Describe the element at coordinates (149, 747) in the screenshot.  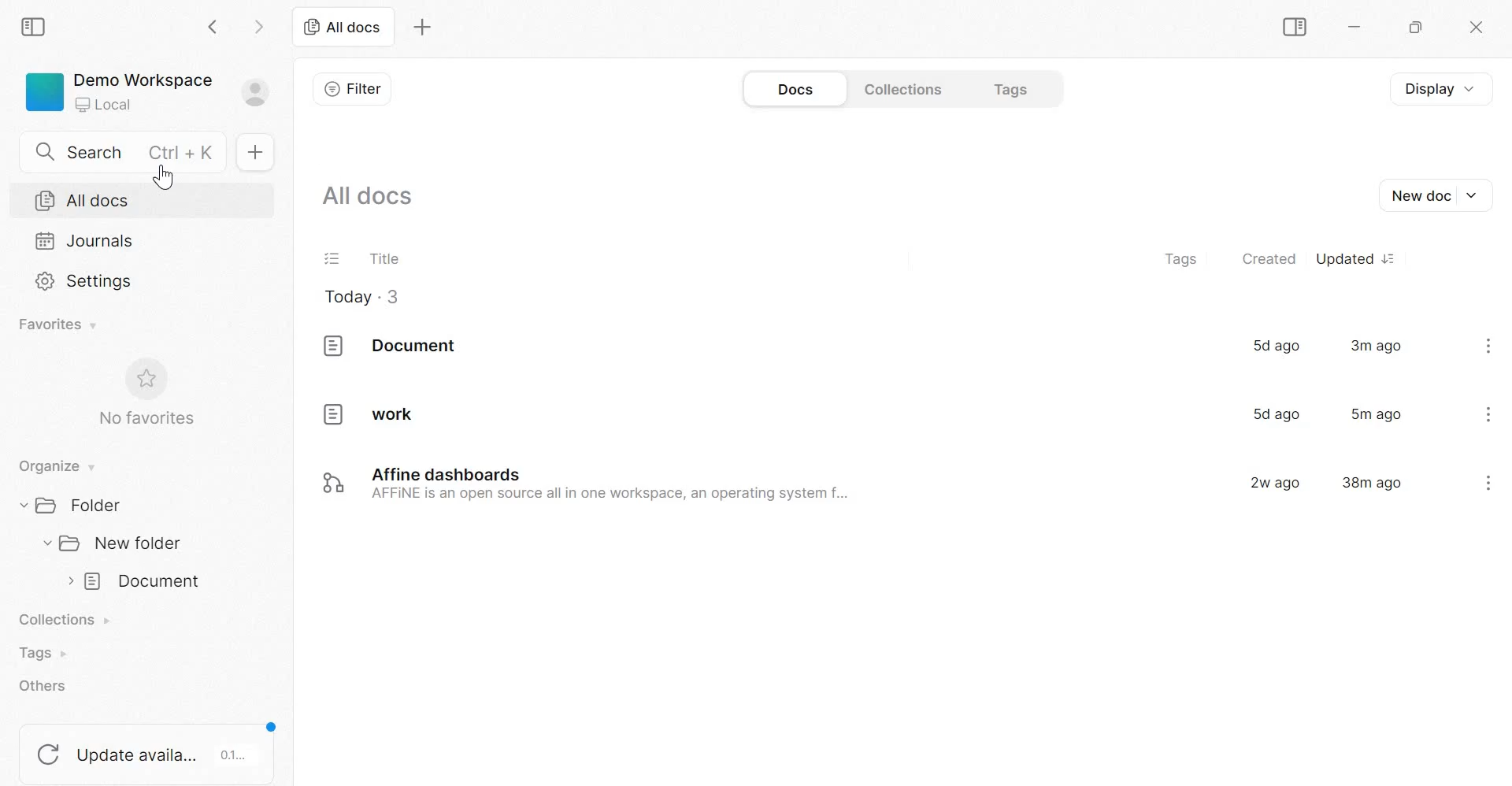
I see `update available` at that location.